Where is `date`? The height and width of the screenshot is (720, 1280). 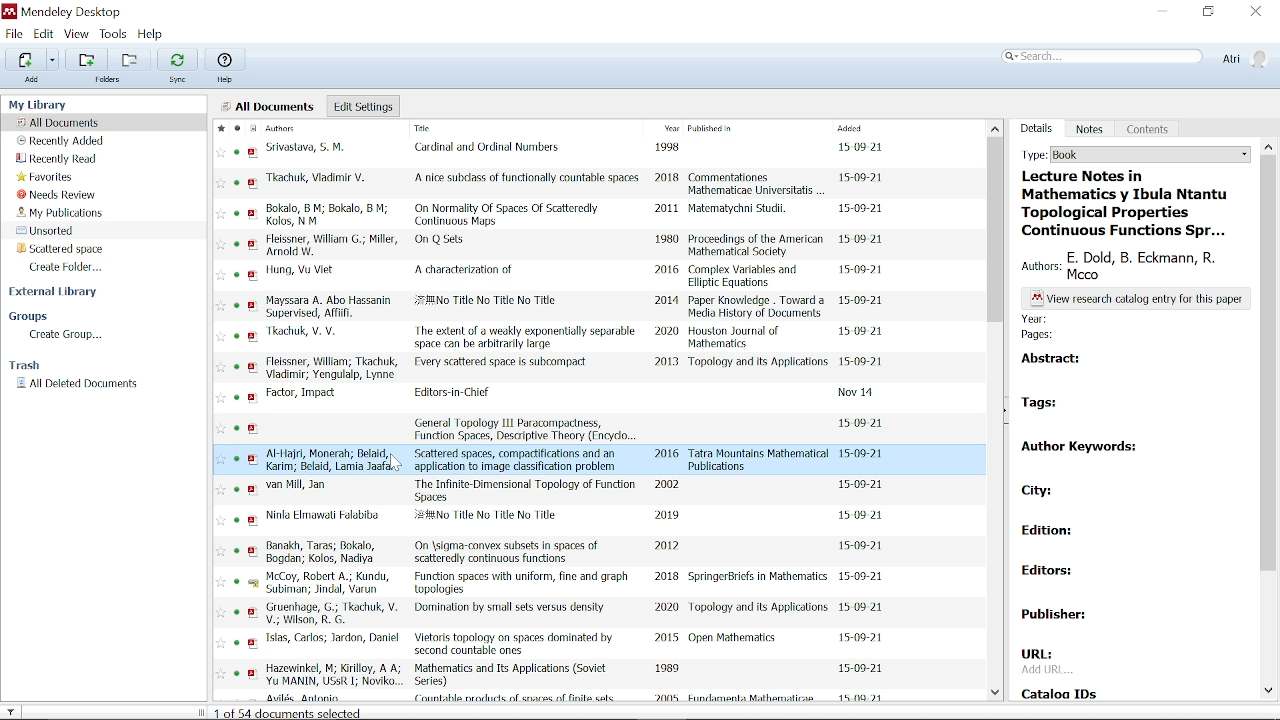
date is located at coordinates (862, 180).